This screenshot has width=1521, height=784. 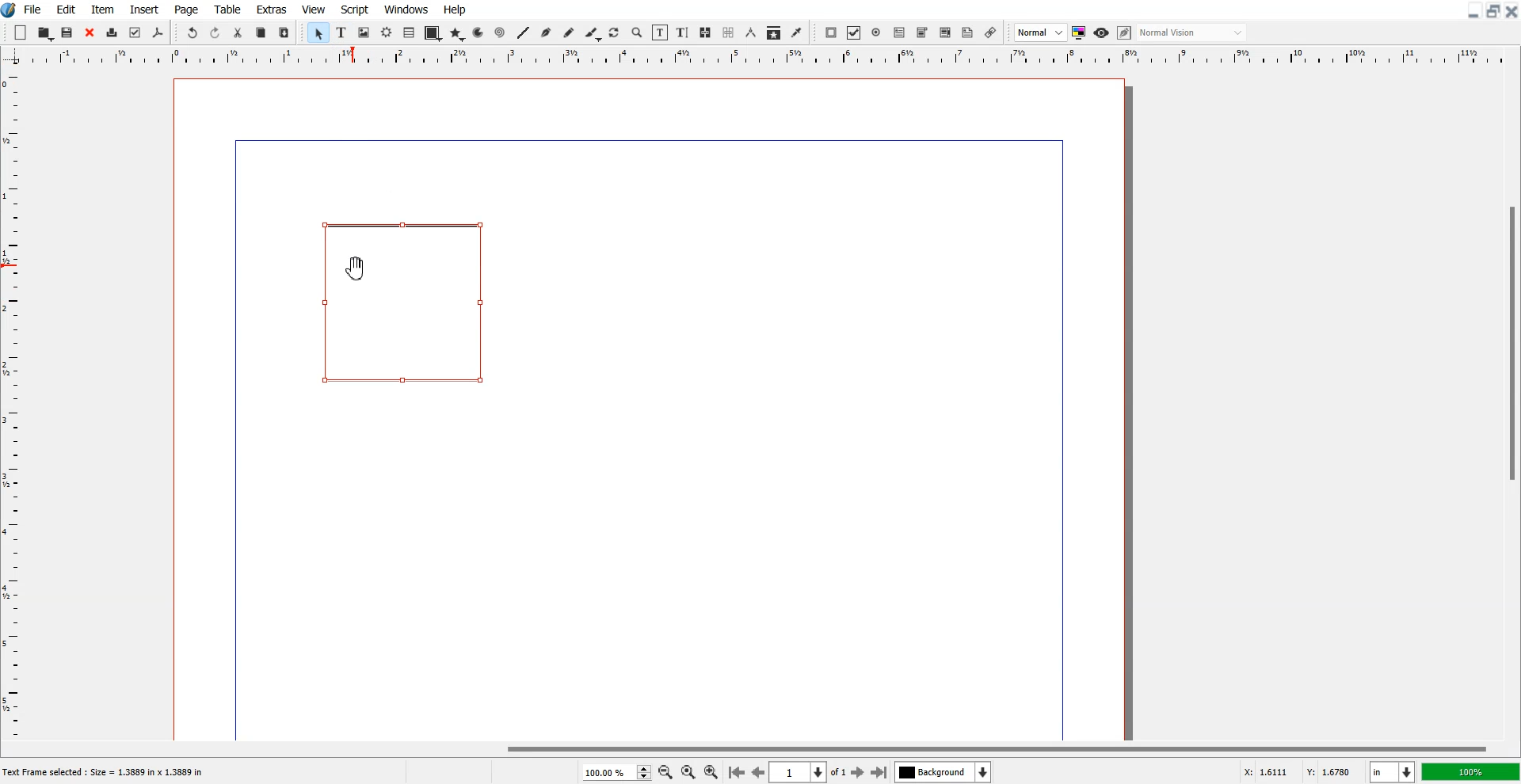 What do you see at coordinates (759, 771) in the screenshot?
I see `Go to previous Page` at bounding box center [759, 771].